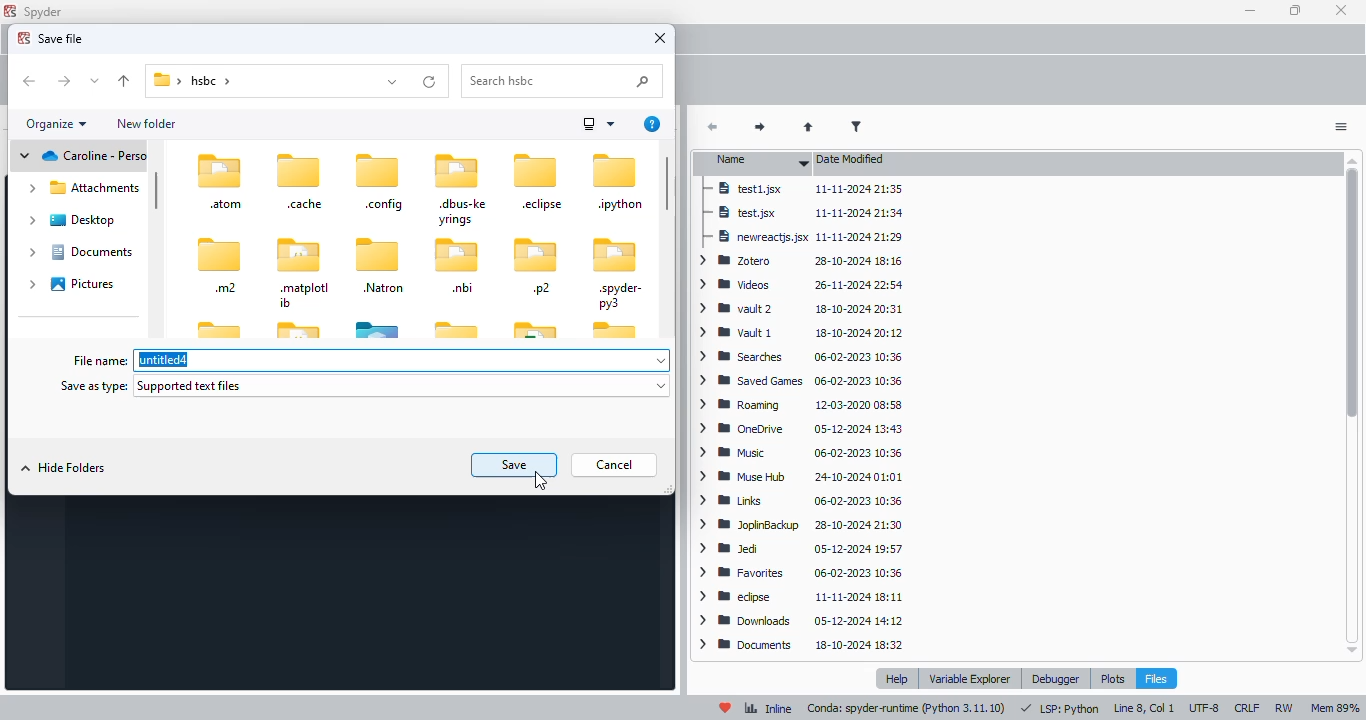 This screenshot has width=1366, height=720. Describe the element at coordinates (302, 271) in the screenshot. I see `.matplotlib` at that location.